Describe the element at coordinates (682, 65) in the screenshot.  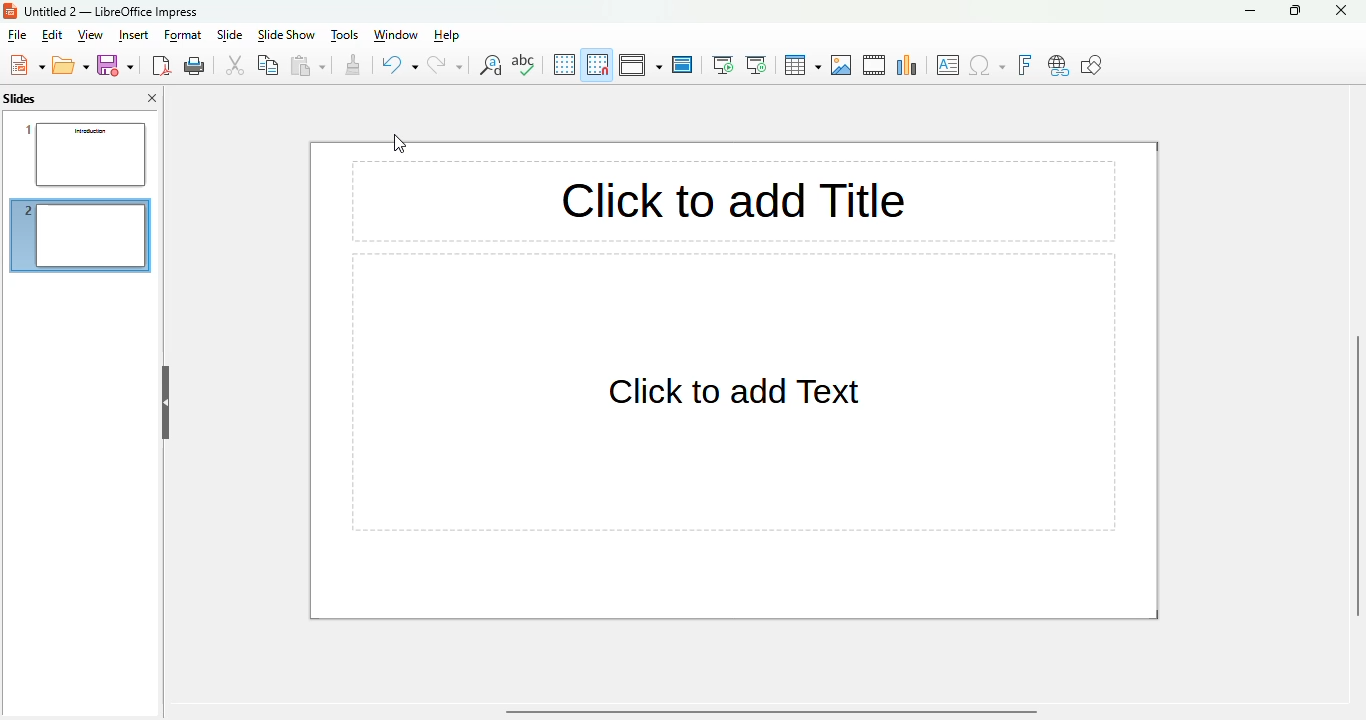
I see `master slide` at that location.